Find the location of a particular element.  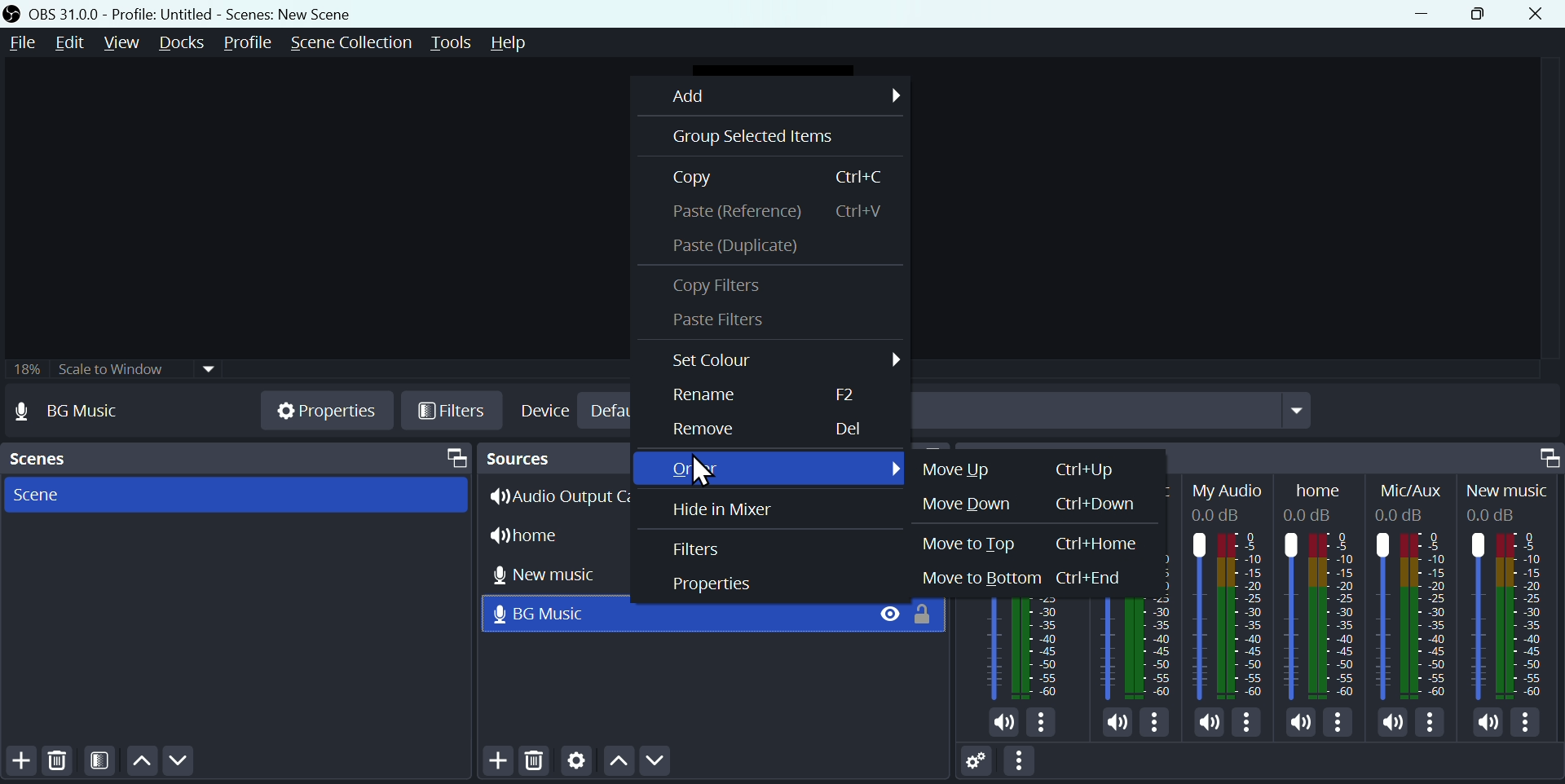

Mic/Aux is located at coordinates (1408, 590).